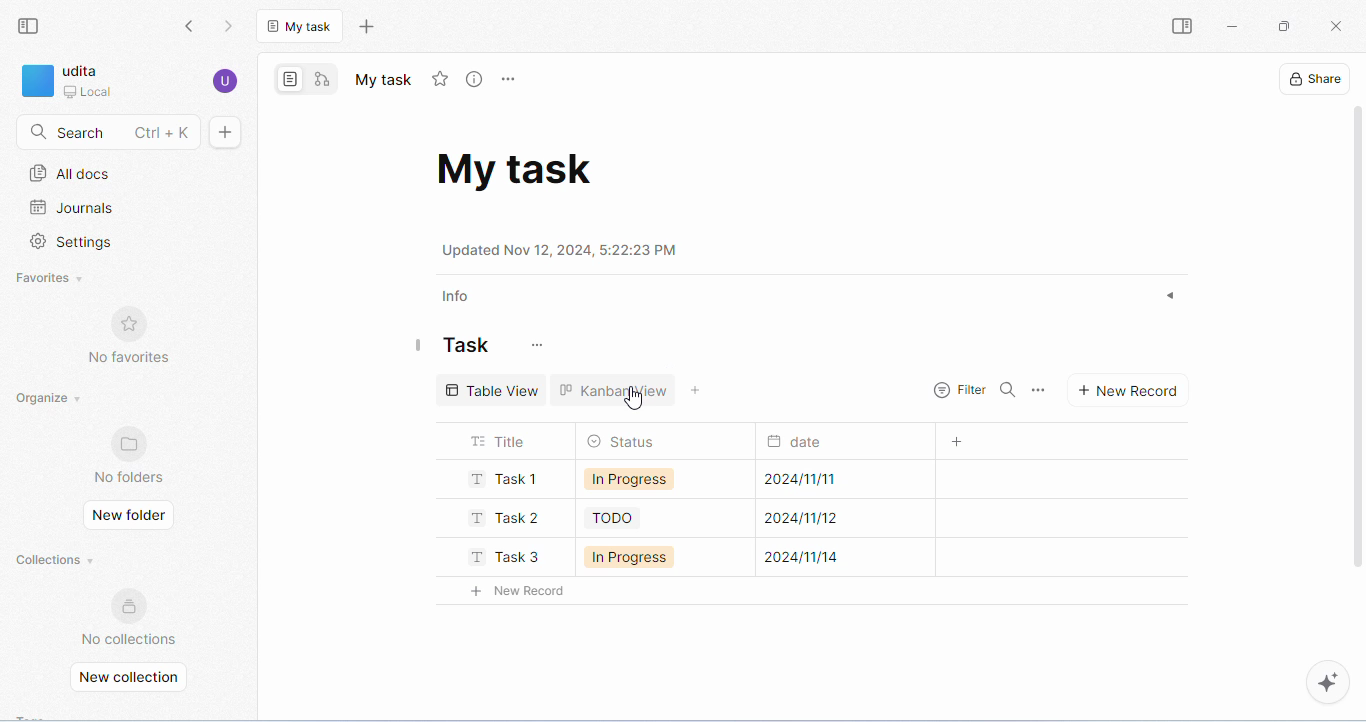  Describe the element at coordinates (634, 558) in the screenshot. I see `in progress` at that location.